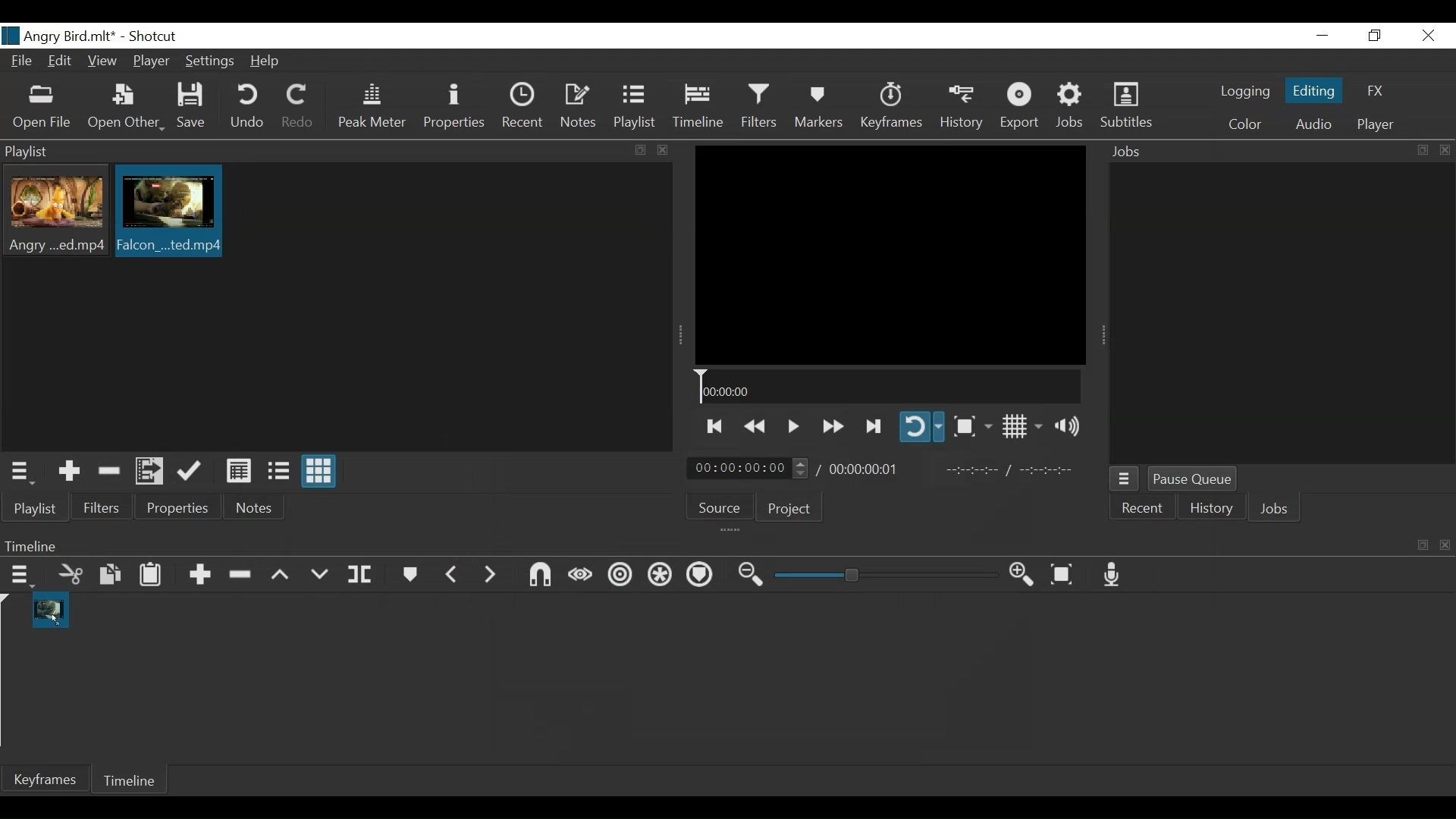 This screenshot has width=1456, height=819. What do you see at coordinates (583, 576) in the screenshot?
I see `Scrub while dragging` at bounding box center [583, 576].